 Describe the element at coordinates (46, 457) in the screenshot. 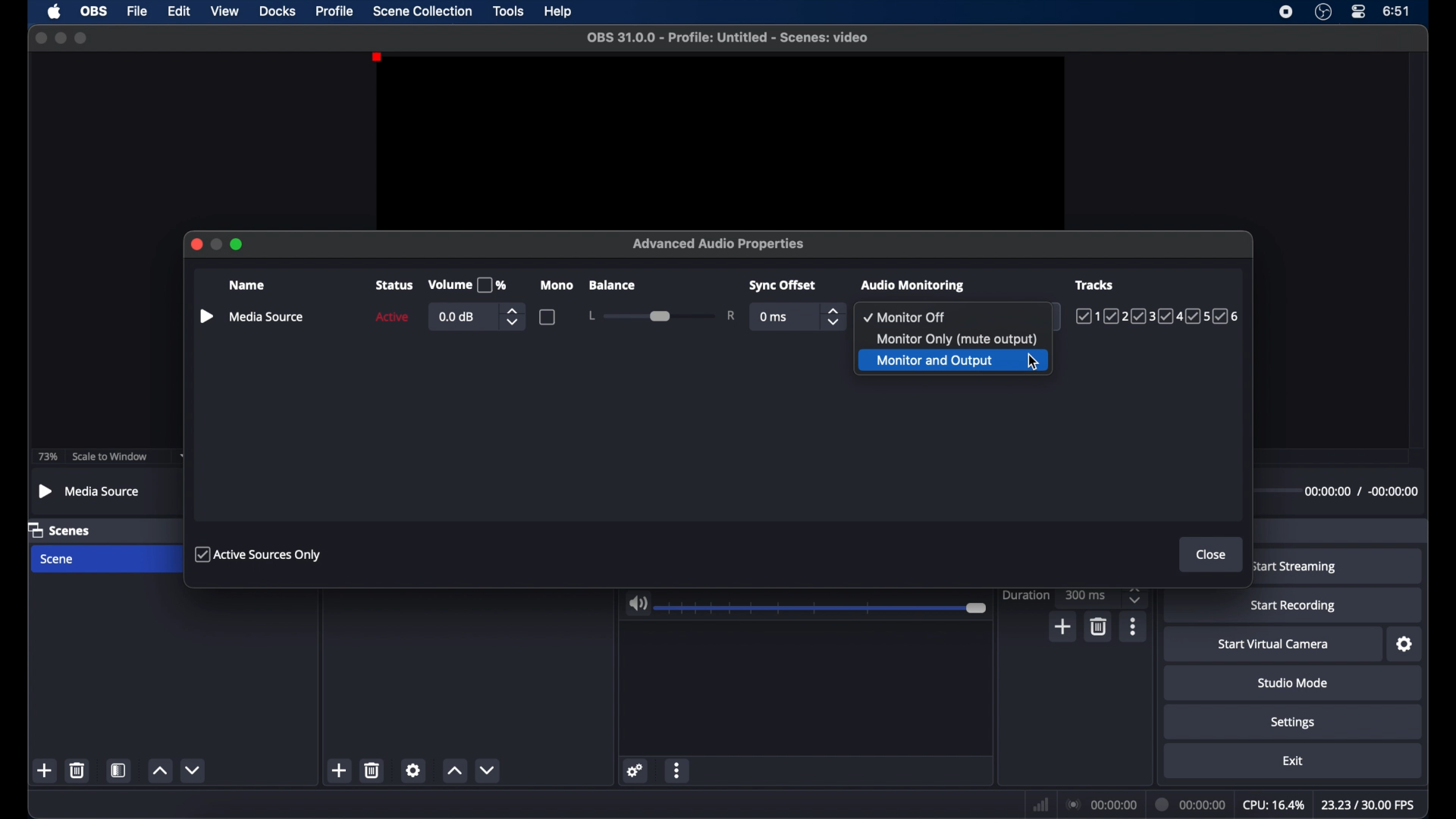

I see `73%` at that location.